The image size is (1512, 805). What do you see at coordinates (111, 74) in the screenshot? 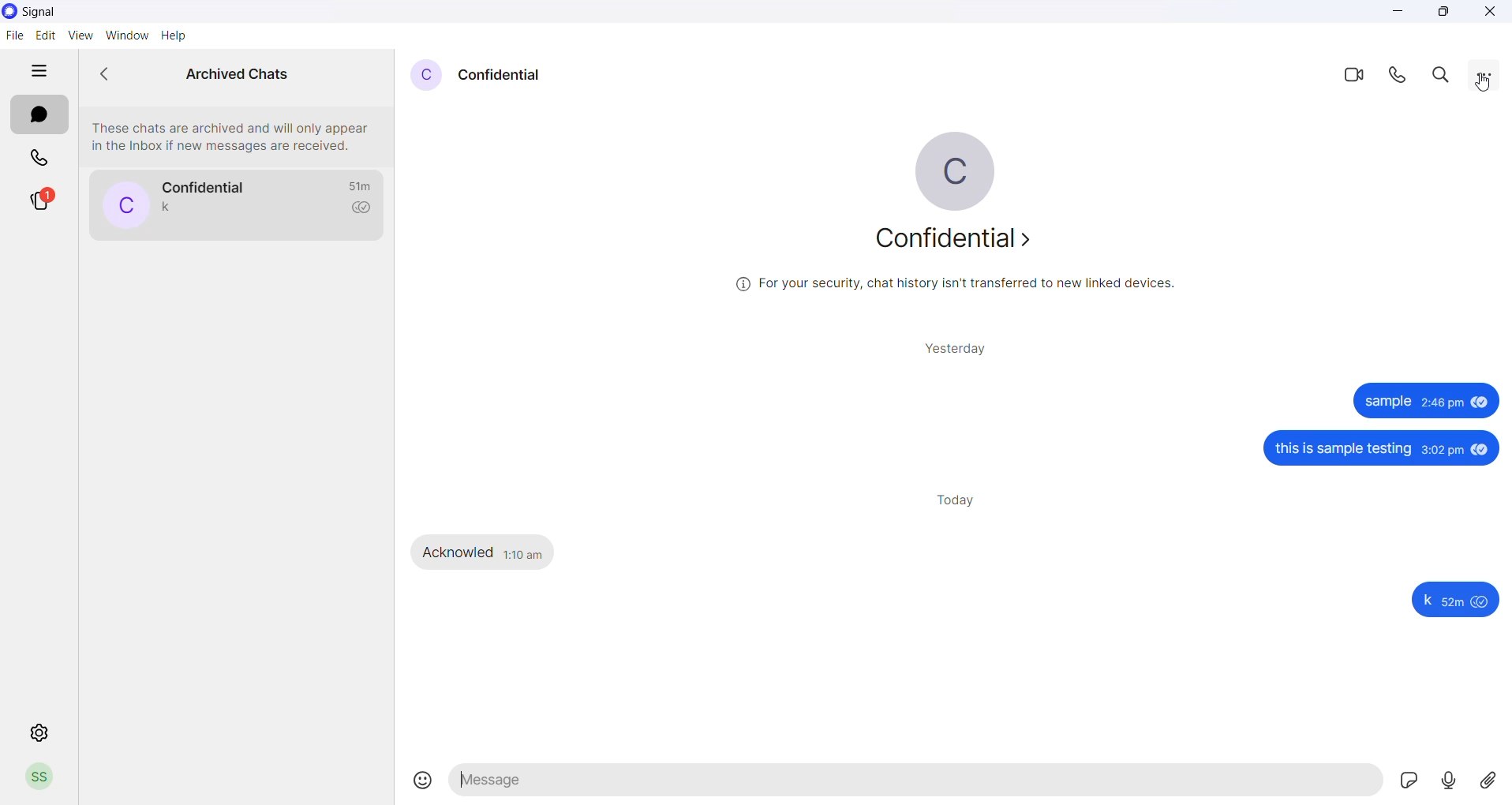
I see `go back` at bounding box center [111, 74].